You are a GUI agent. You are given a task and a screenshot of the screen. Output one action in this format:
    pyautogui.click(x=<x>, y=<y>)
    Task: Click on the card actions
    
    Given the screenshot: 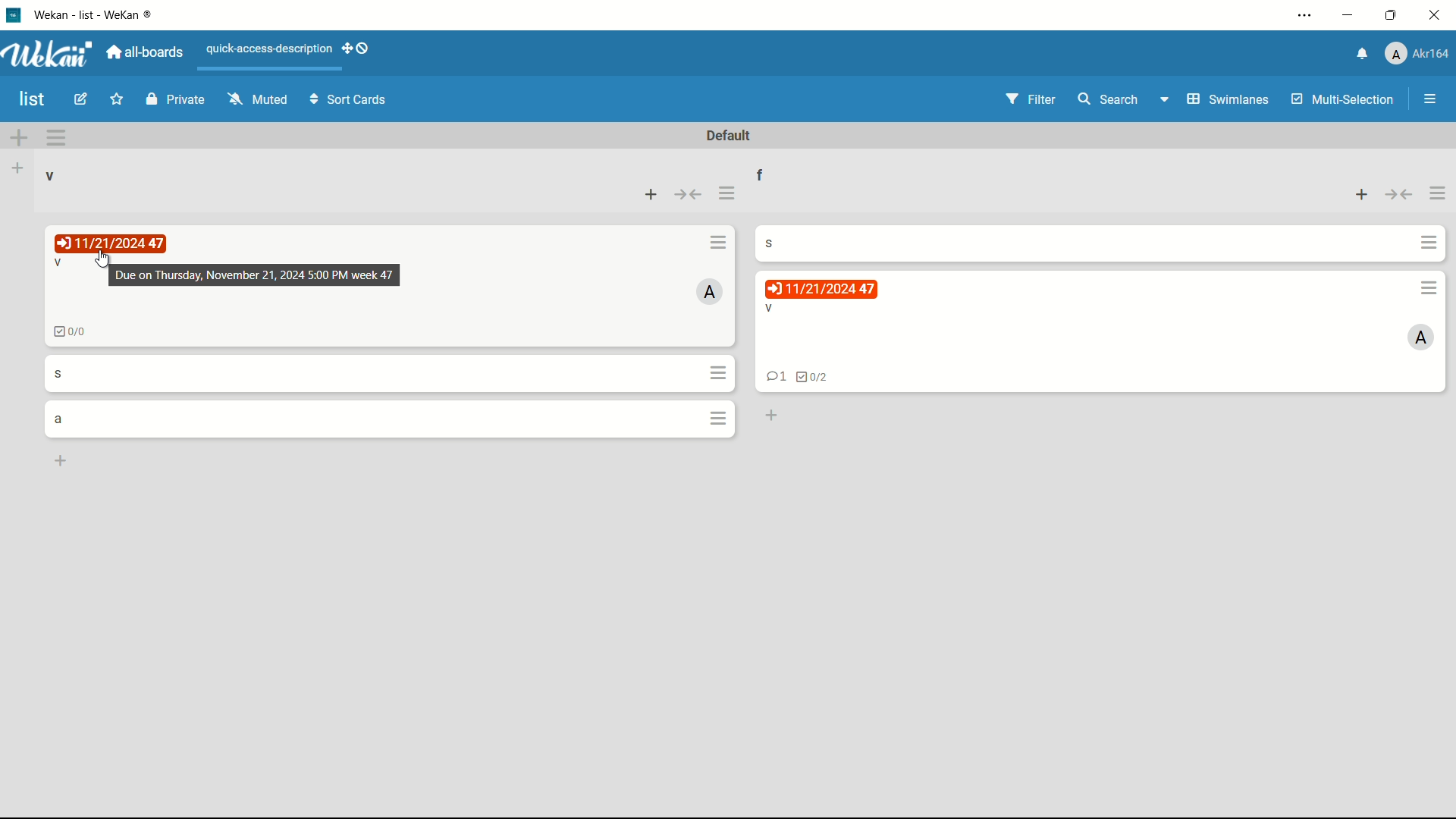 What is the action you would take?
    pyautogui.click(x=718, y=418)
    